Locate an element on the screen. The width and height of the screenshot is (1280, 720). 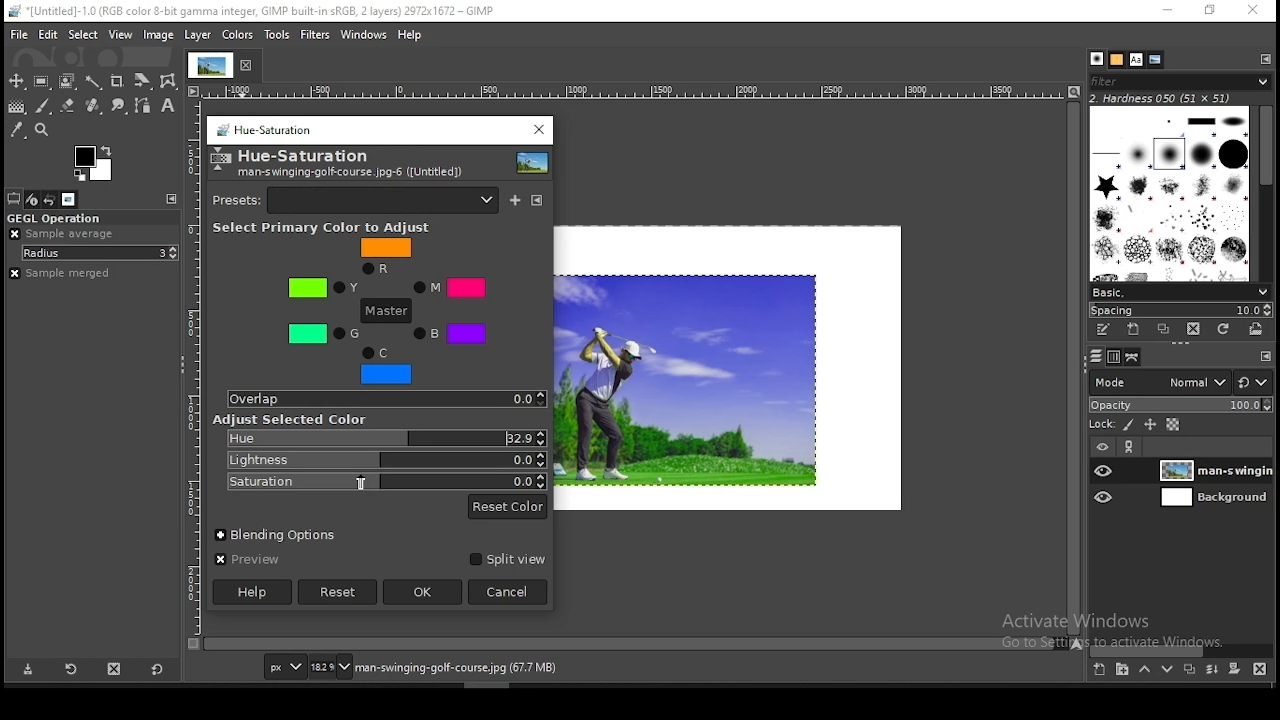
undo history is located at coordinates (52, 200).